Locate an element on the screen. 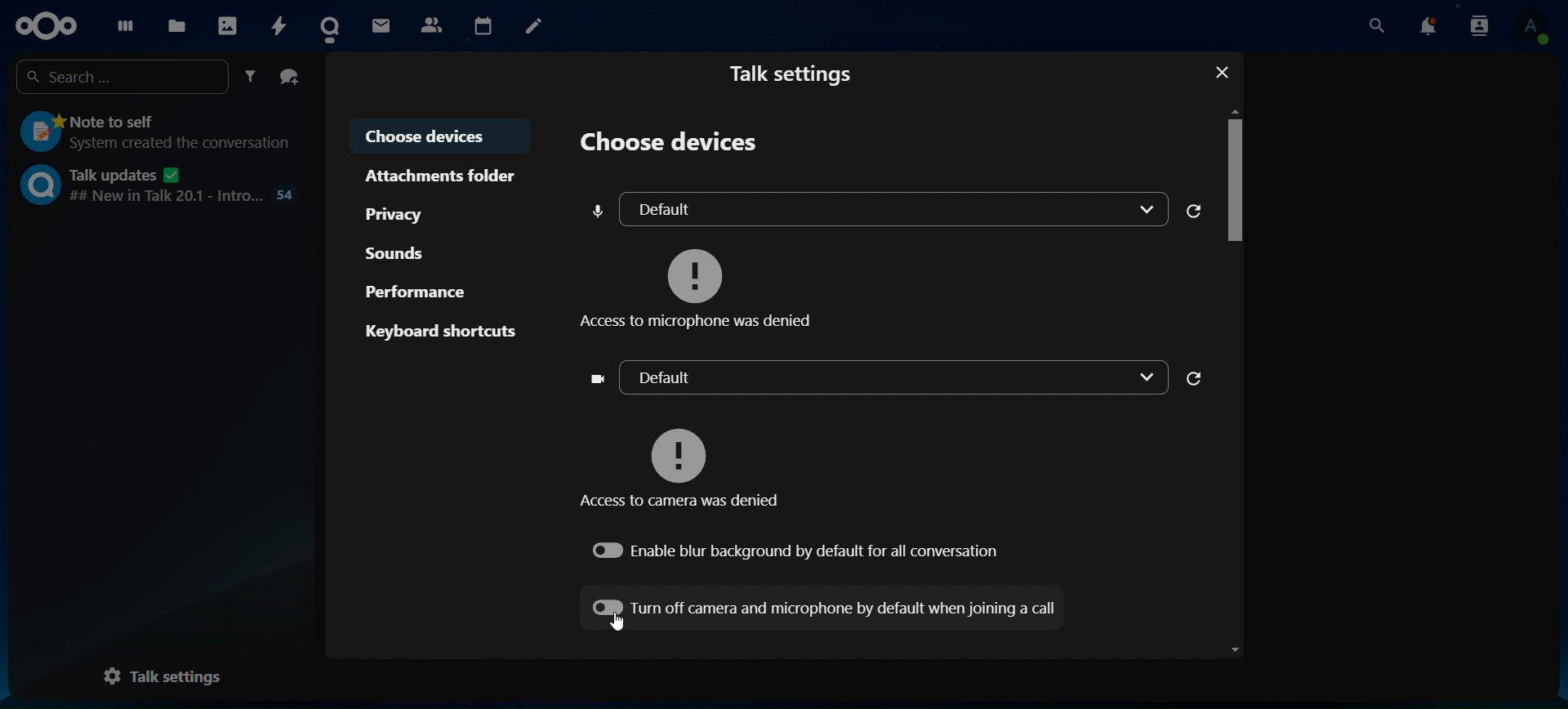 The height and width of the screenshot is (709, 1568). talk updates is located at coordinates (155, 186).